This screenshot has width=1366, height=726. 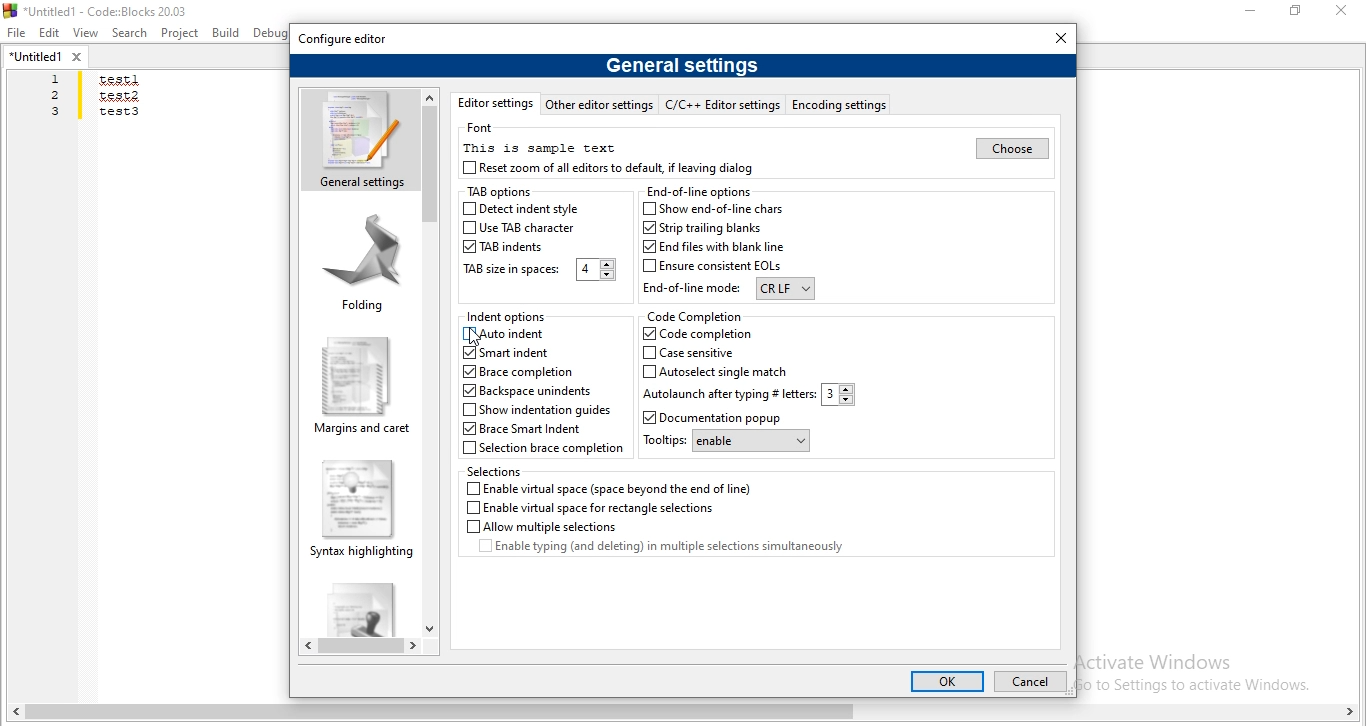 I want to click on test 1, so click(x=118, y=81).